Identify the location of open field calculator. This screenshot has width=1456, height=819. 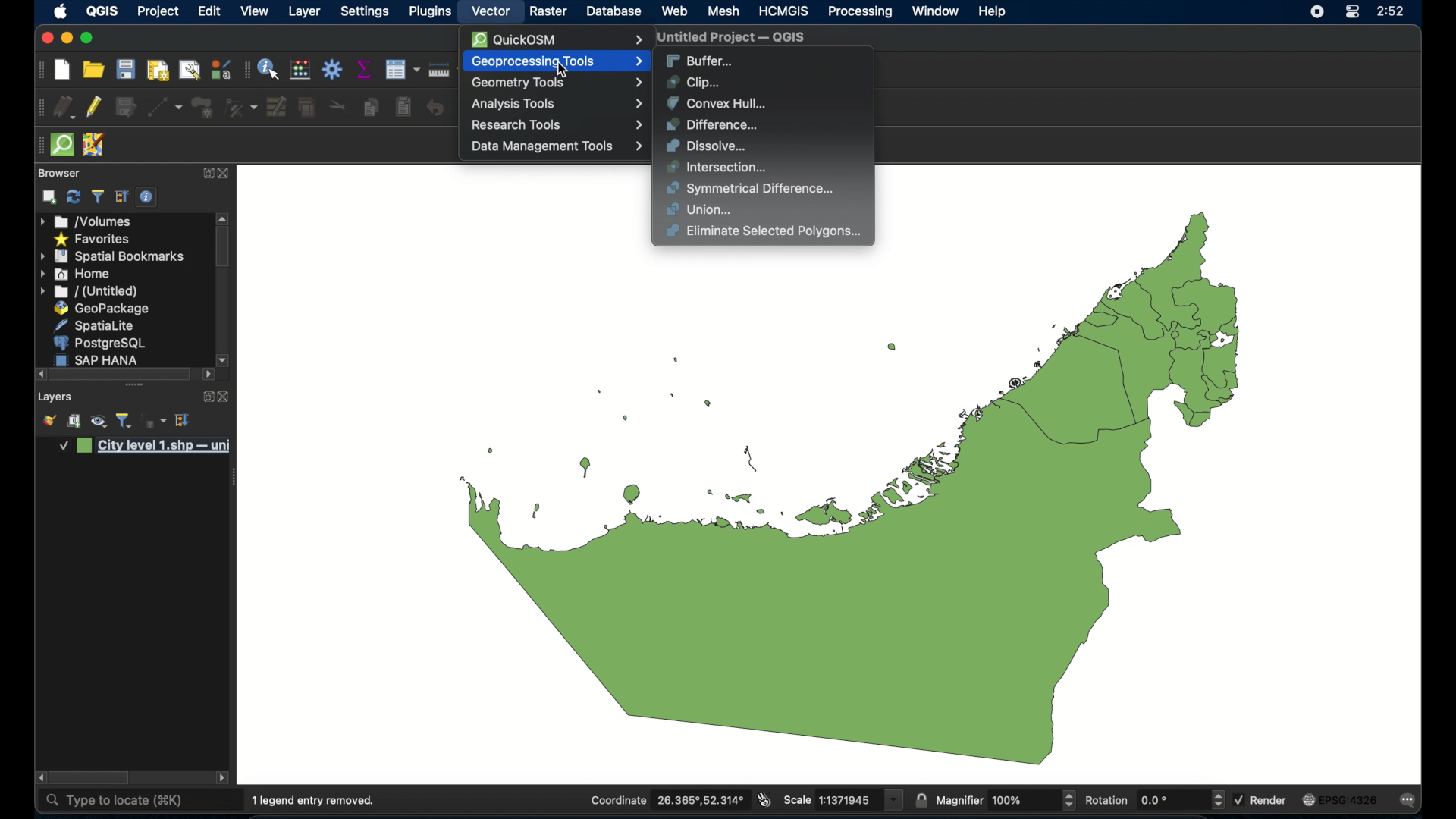
(300, 70).